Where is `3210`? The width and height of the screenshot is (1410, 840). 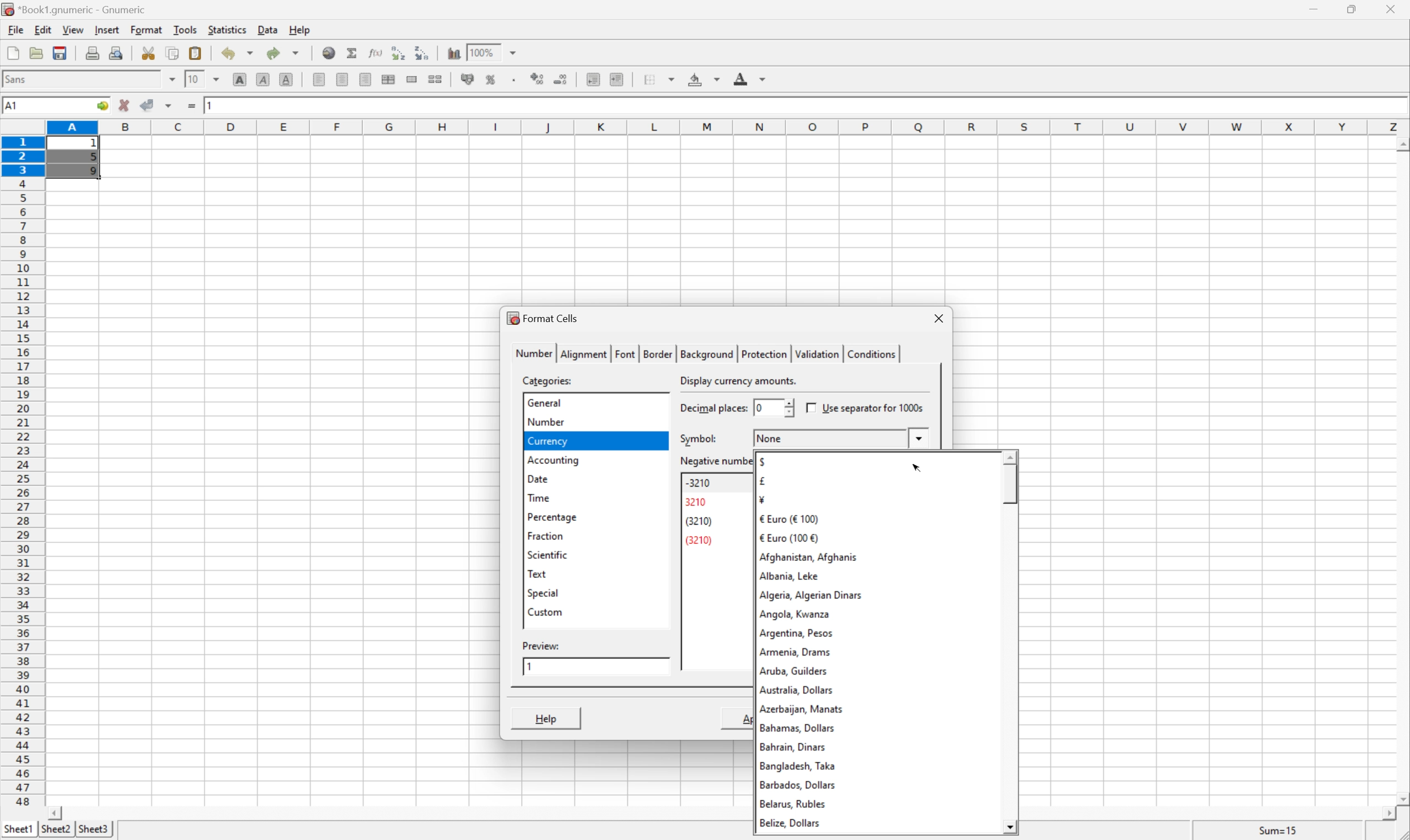 3210 is located at coordinates (698, 502).